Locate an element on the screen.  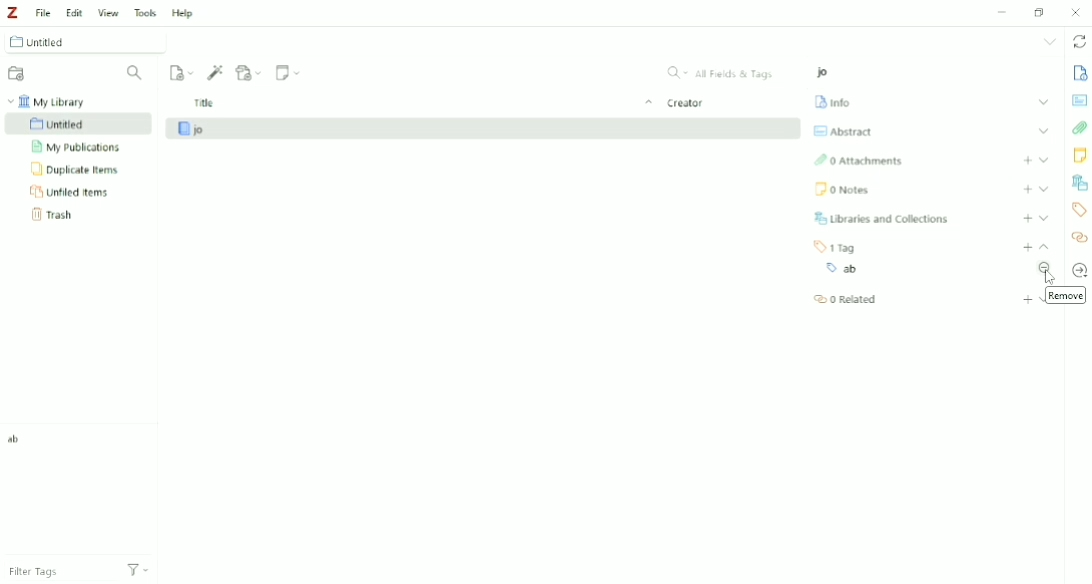
Collapse section is located at coordinates (1044, 246).